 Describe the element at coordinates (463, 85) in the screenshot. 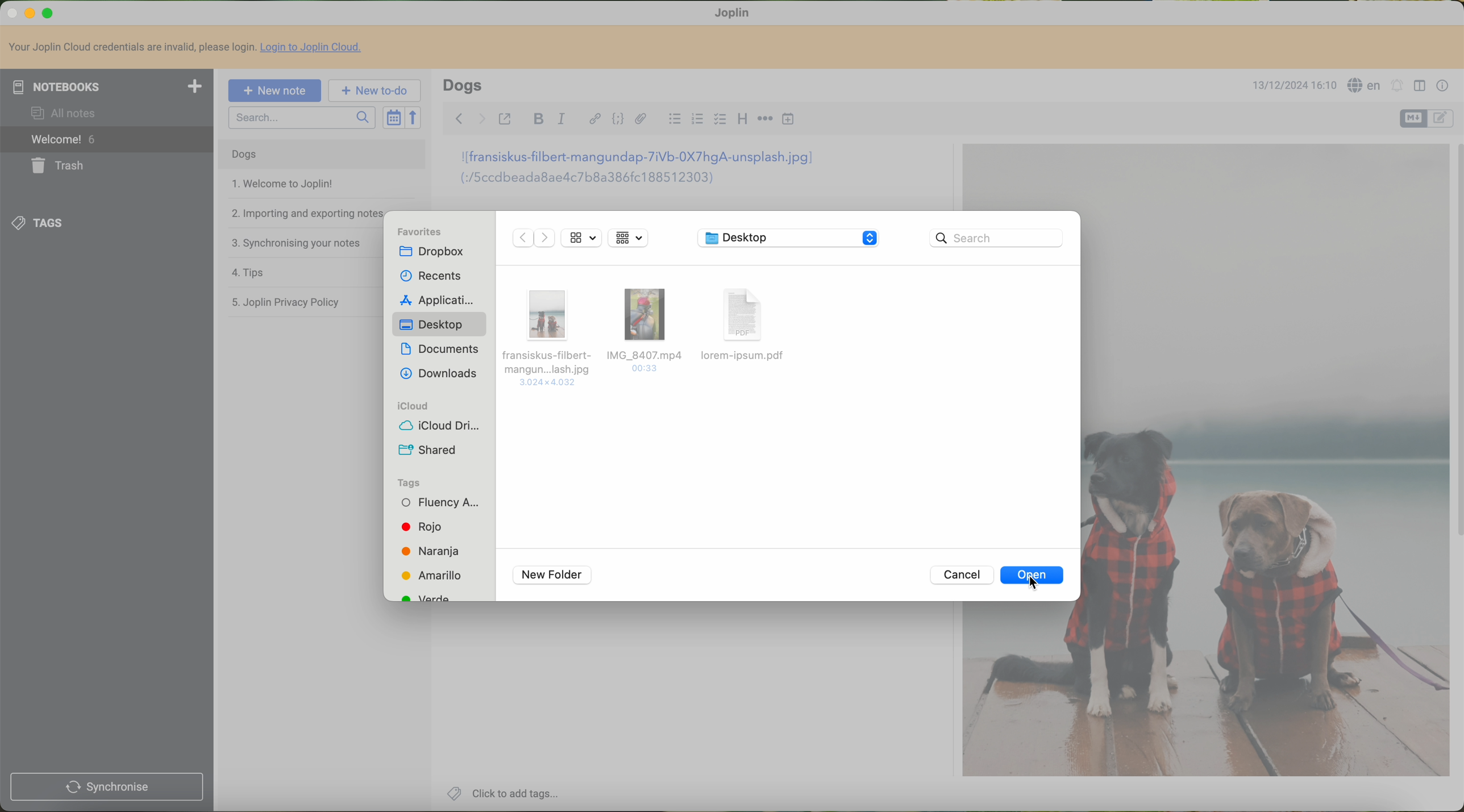

I see `title: Dogs` at that location.